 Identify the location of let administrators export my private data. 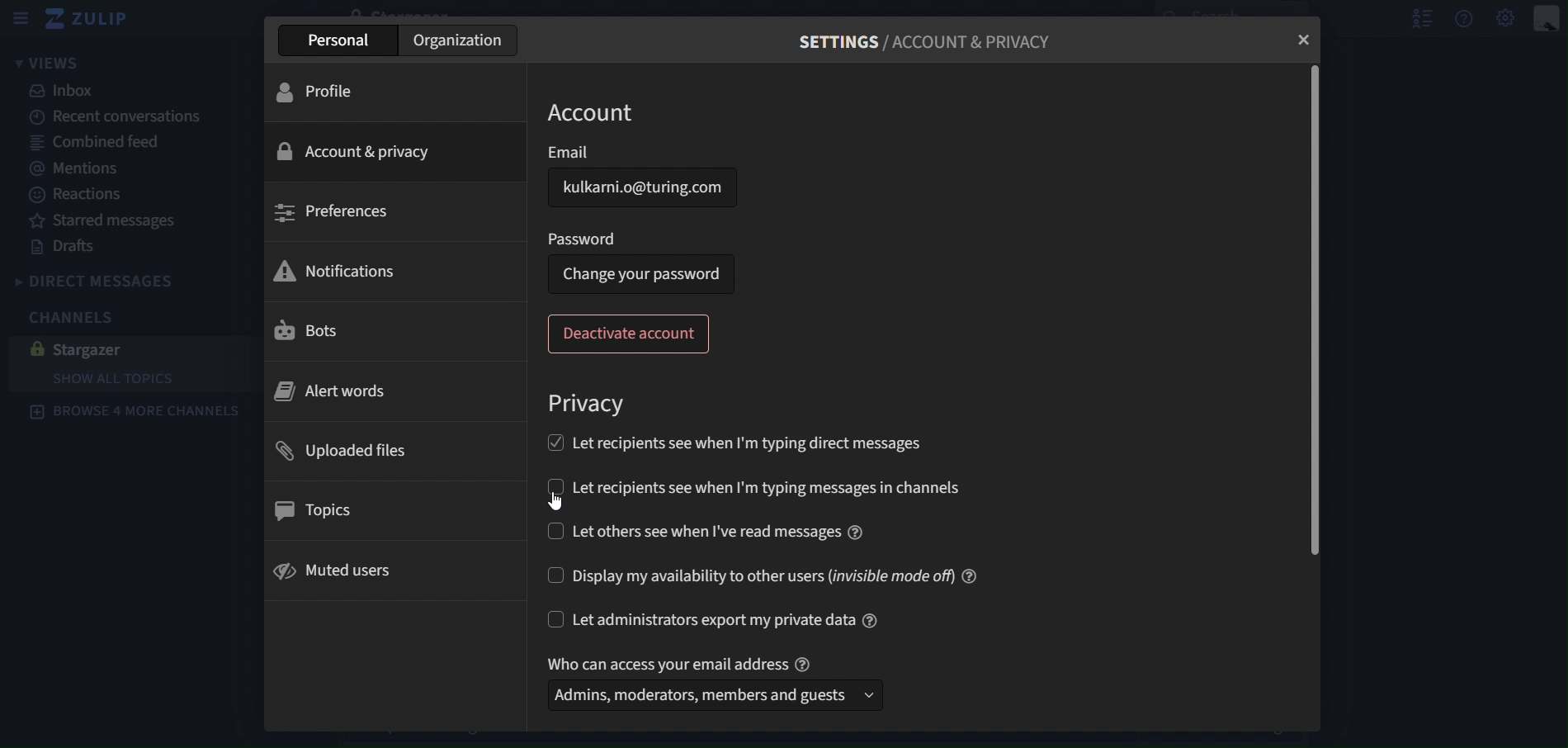
(710, 621).